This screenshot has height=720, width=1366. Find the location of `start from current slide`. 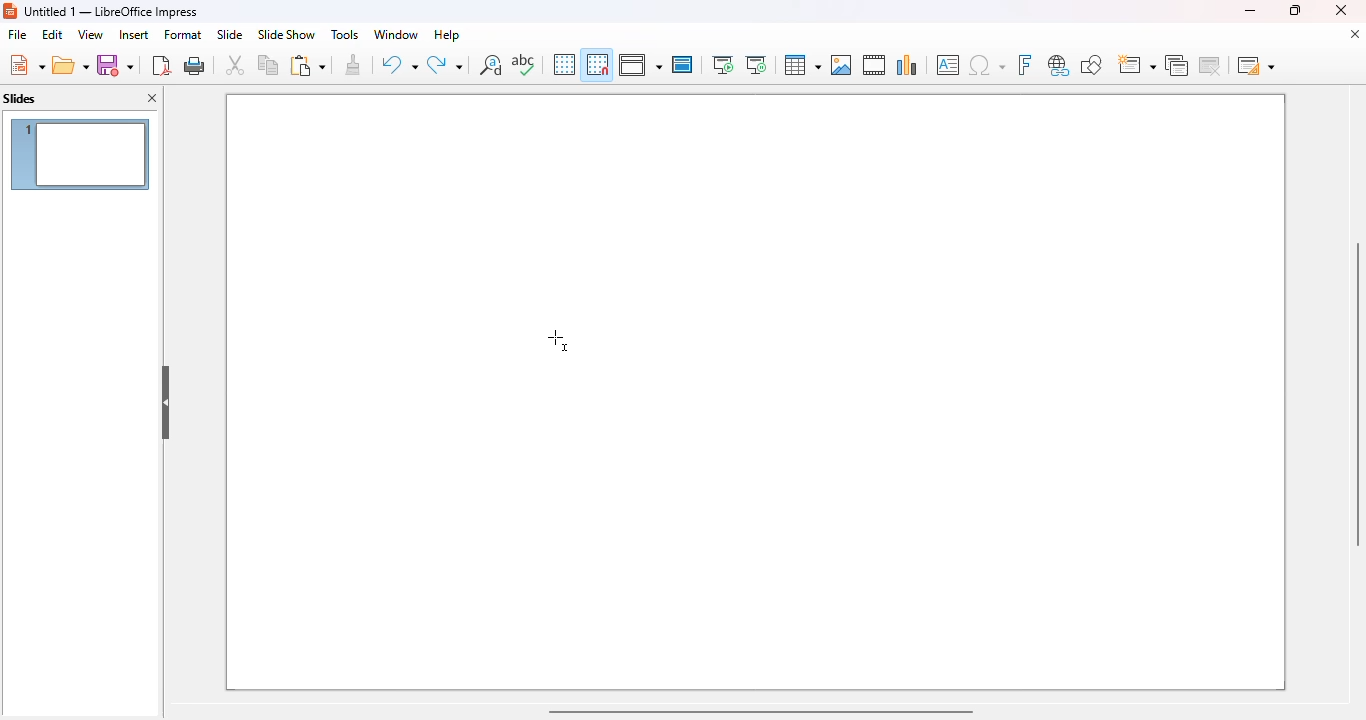

start from current slide is located at coordinates (756, 65).